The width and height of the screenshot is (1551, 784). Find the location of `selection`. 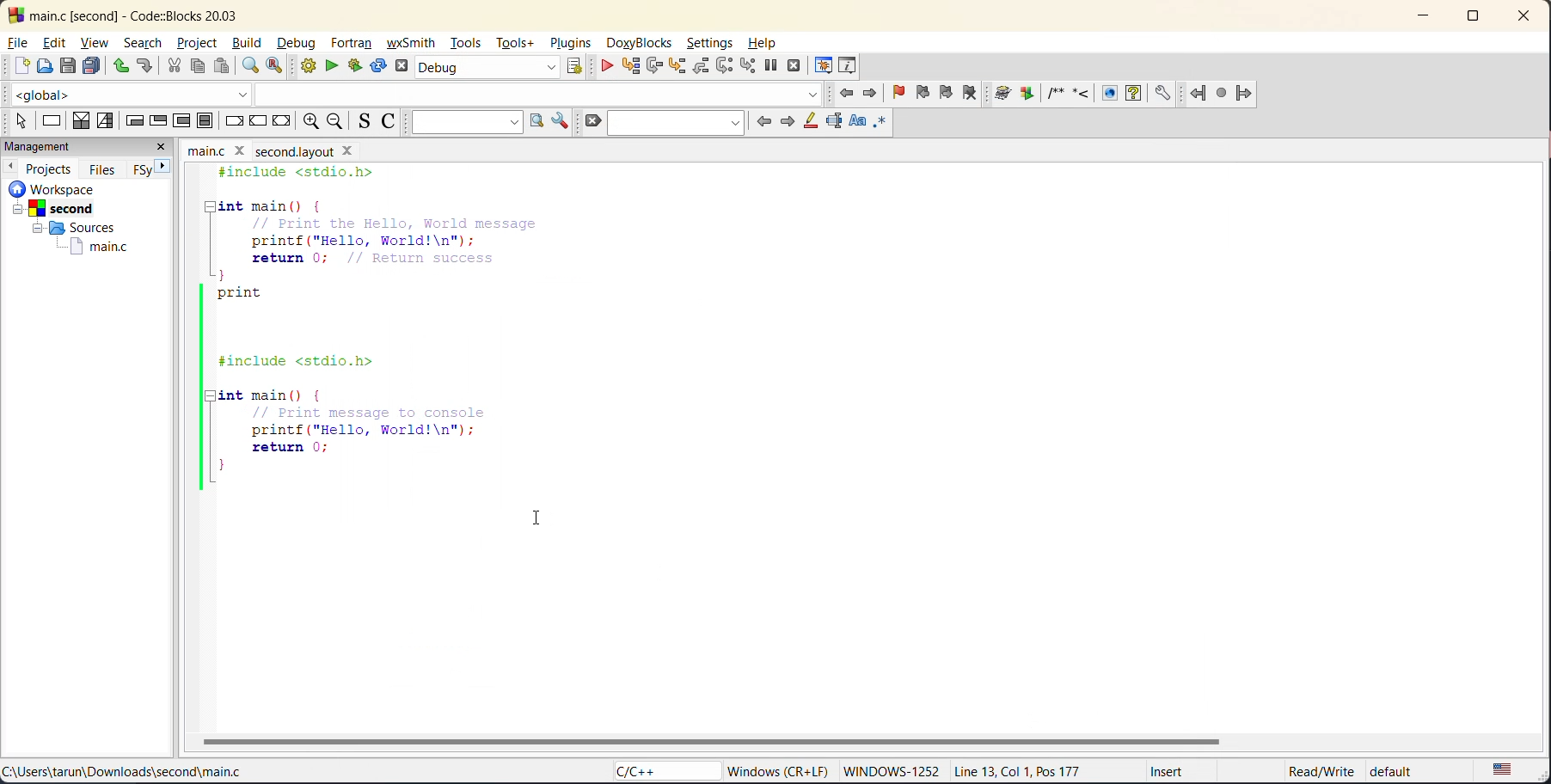

selection is located at coordinates (107, 120).